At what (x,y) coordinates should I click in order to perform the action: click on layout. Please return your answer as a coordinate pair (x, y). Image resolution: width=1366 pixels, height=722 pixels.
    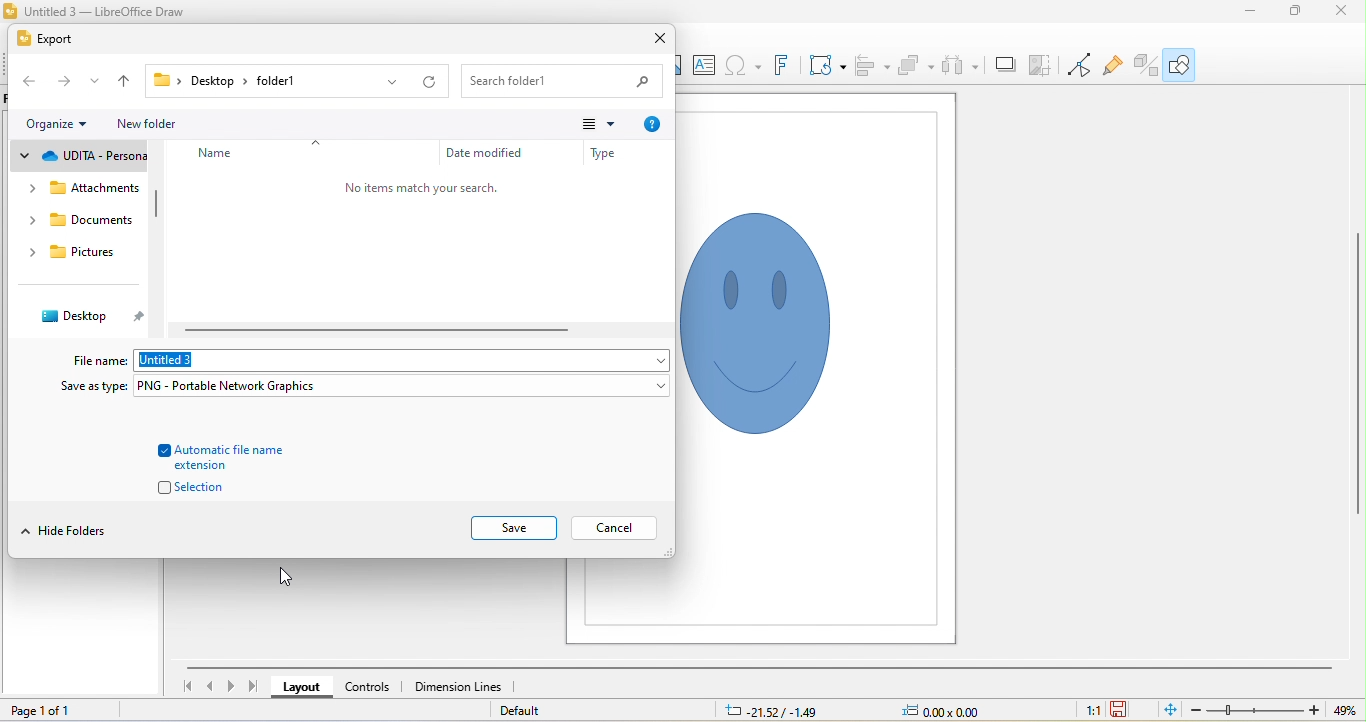
    Looking at the image, I should click on (304, 690).